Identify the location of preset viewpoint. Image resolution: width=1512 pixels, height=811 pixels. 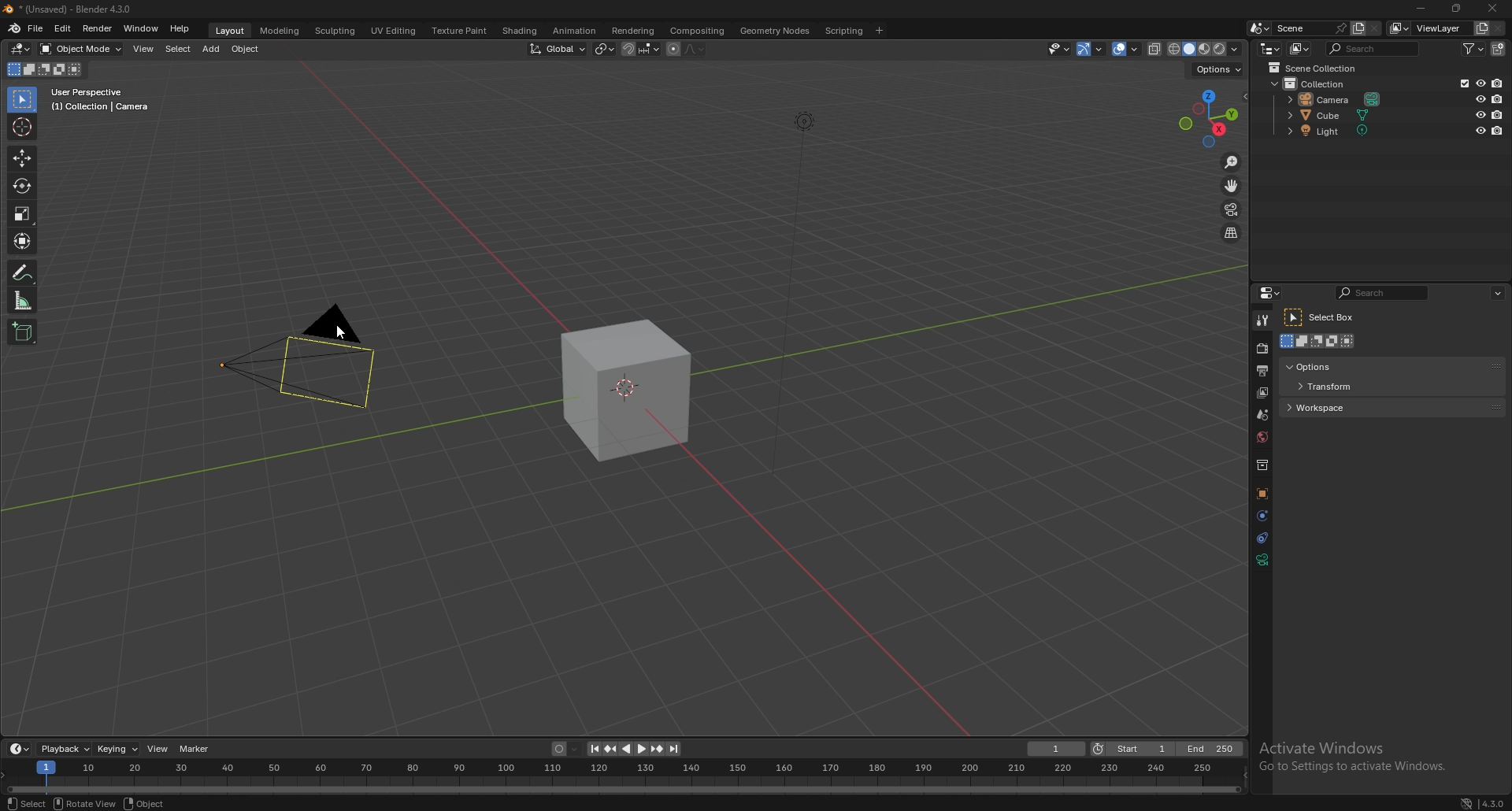
(1208, 118).